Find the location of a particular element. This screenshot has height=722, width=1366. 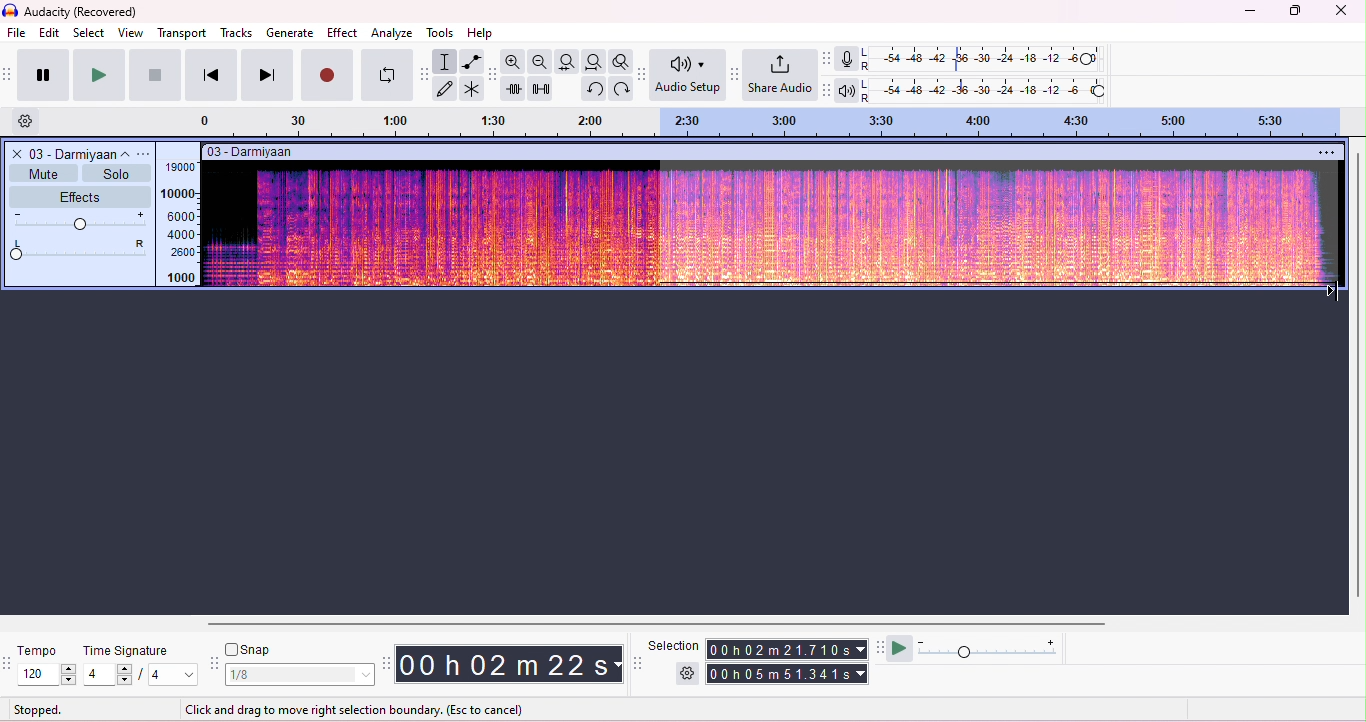

undo is located at coordinates (593, 89).